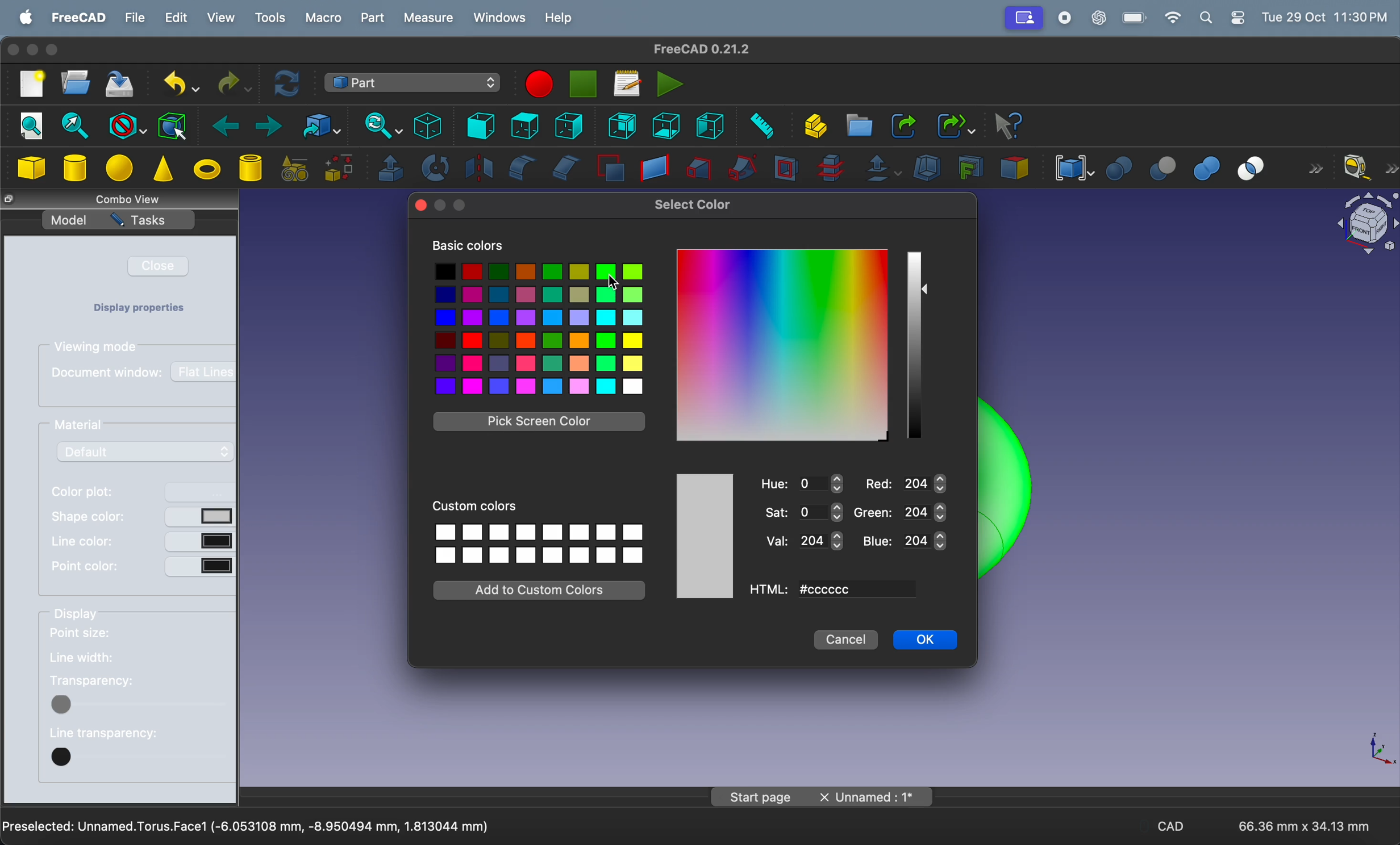 This screenshot has width=1400, height=845. Describe the element at coordinates (200, 492) in the screenshot. I see `button` at that location.